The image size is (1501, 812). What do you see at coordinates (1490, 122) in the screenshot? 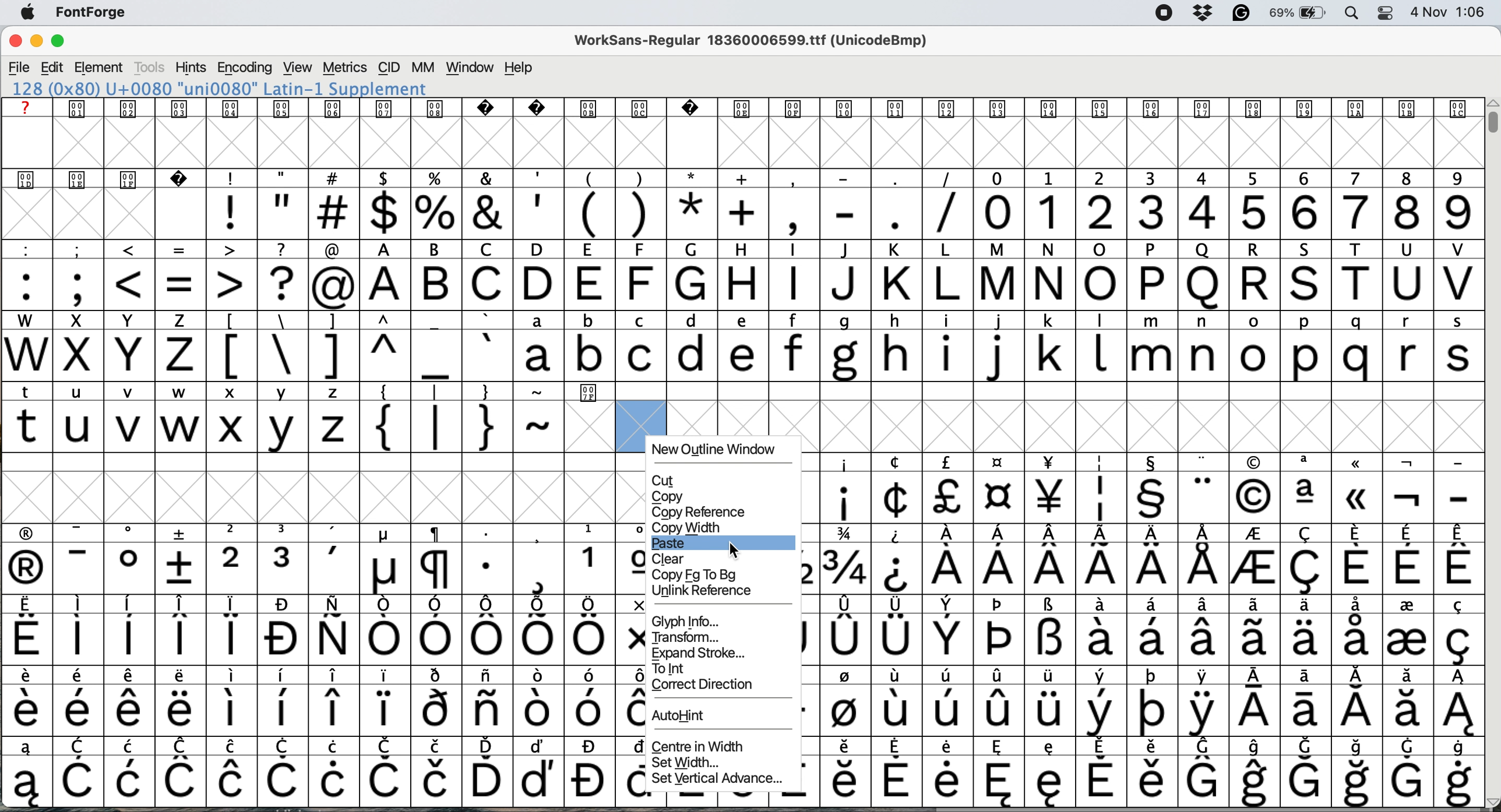
I see `vertical scroll bar` at bounding box center [1490, 122].